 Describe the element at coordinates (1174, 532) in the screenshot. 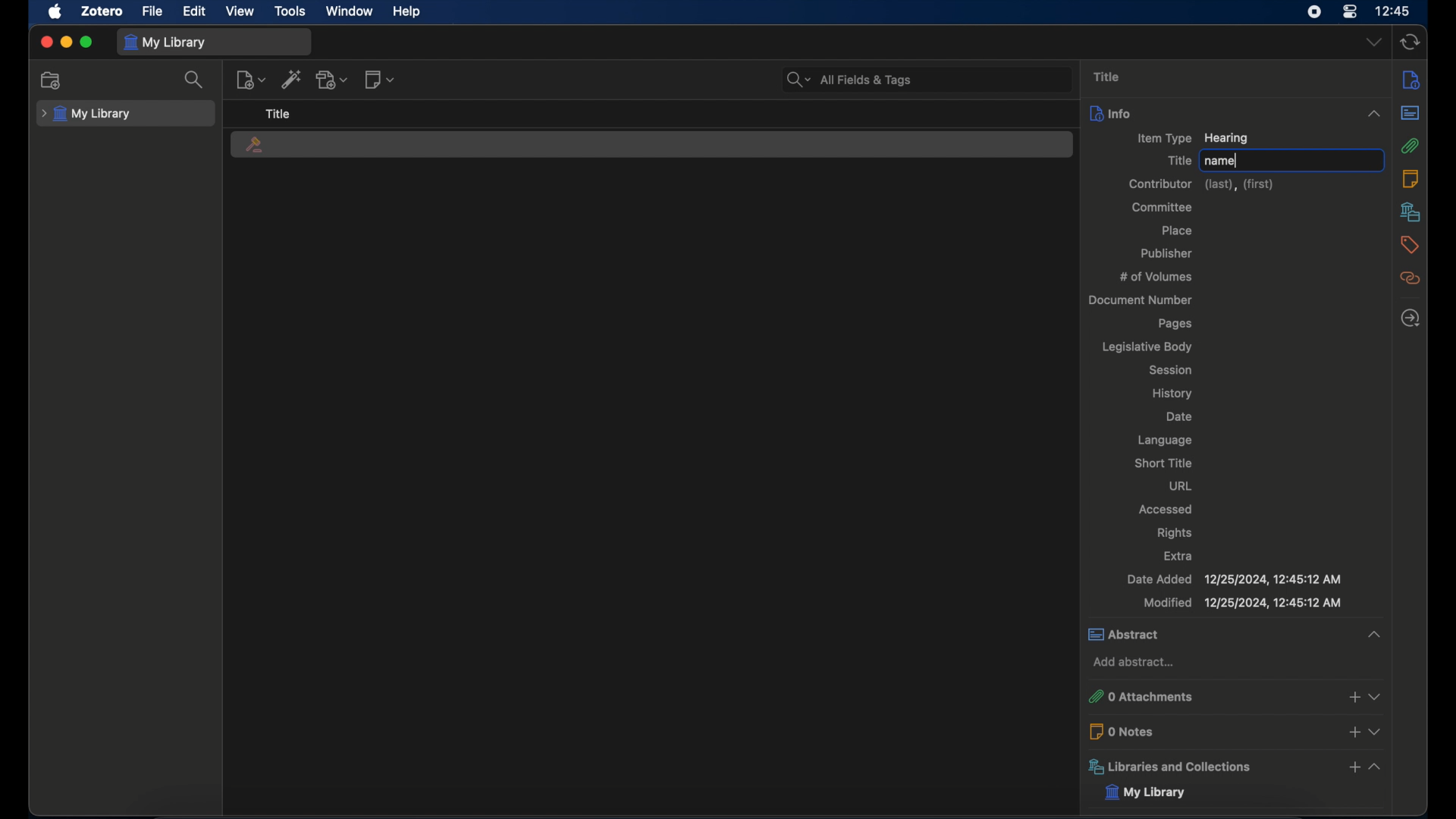

I see `rights` at that location.